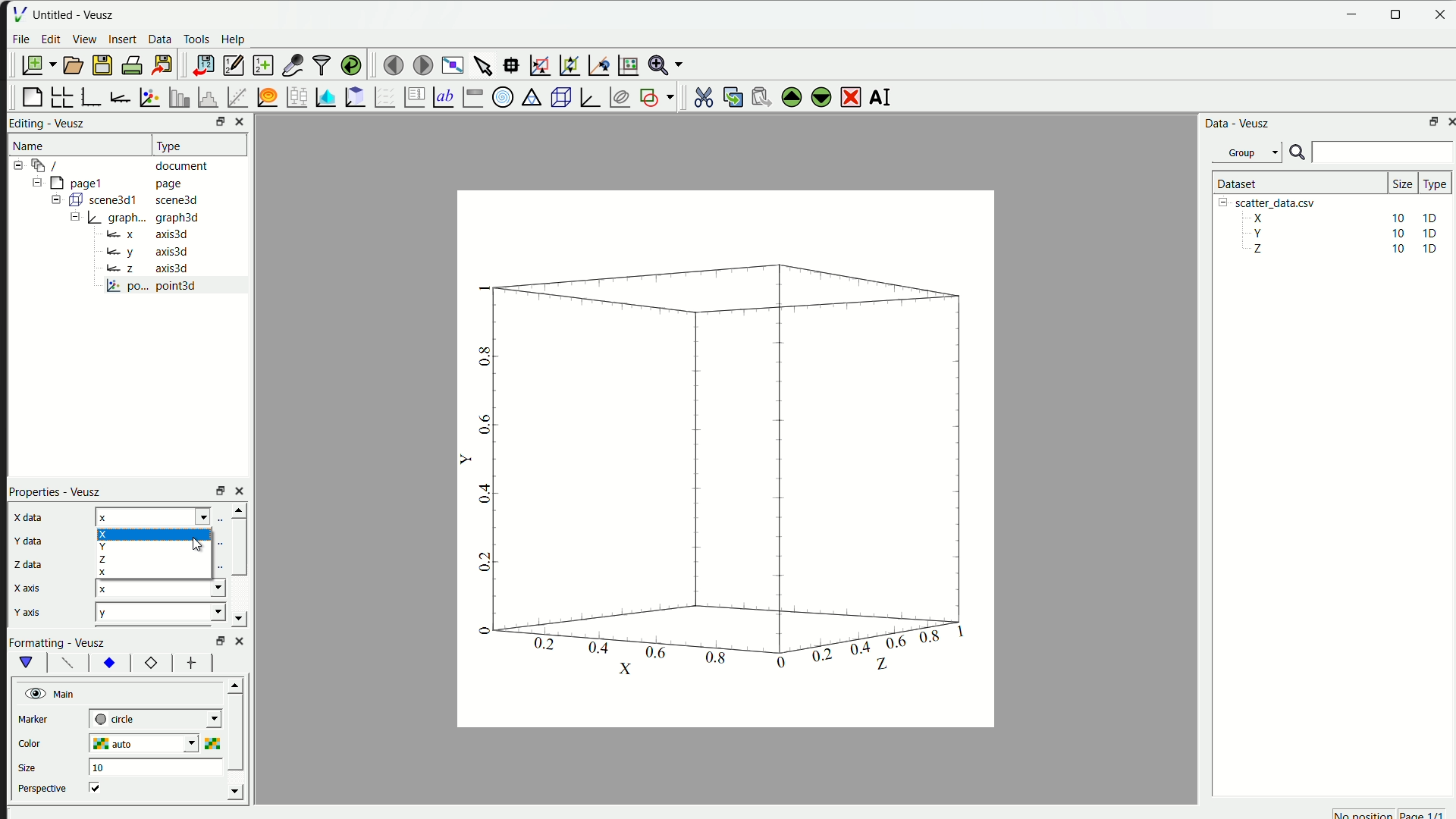 This screenshot has width=1456, height=819. Describe the element at coordinates (174, 97) in the screenshot. I see `plot bar chart` at that location.